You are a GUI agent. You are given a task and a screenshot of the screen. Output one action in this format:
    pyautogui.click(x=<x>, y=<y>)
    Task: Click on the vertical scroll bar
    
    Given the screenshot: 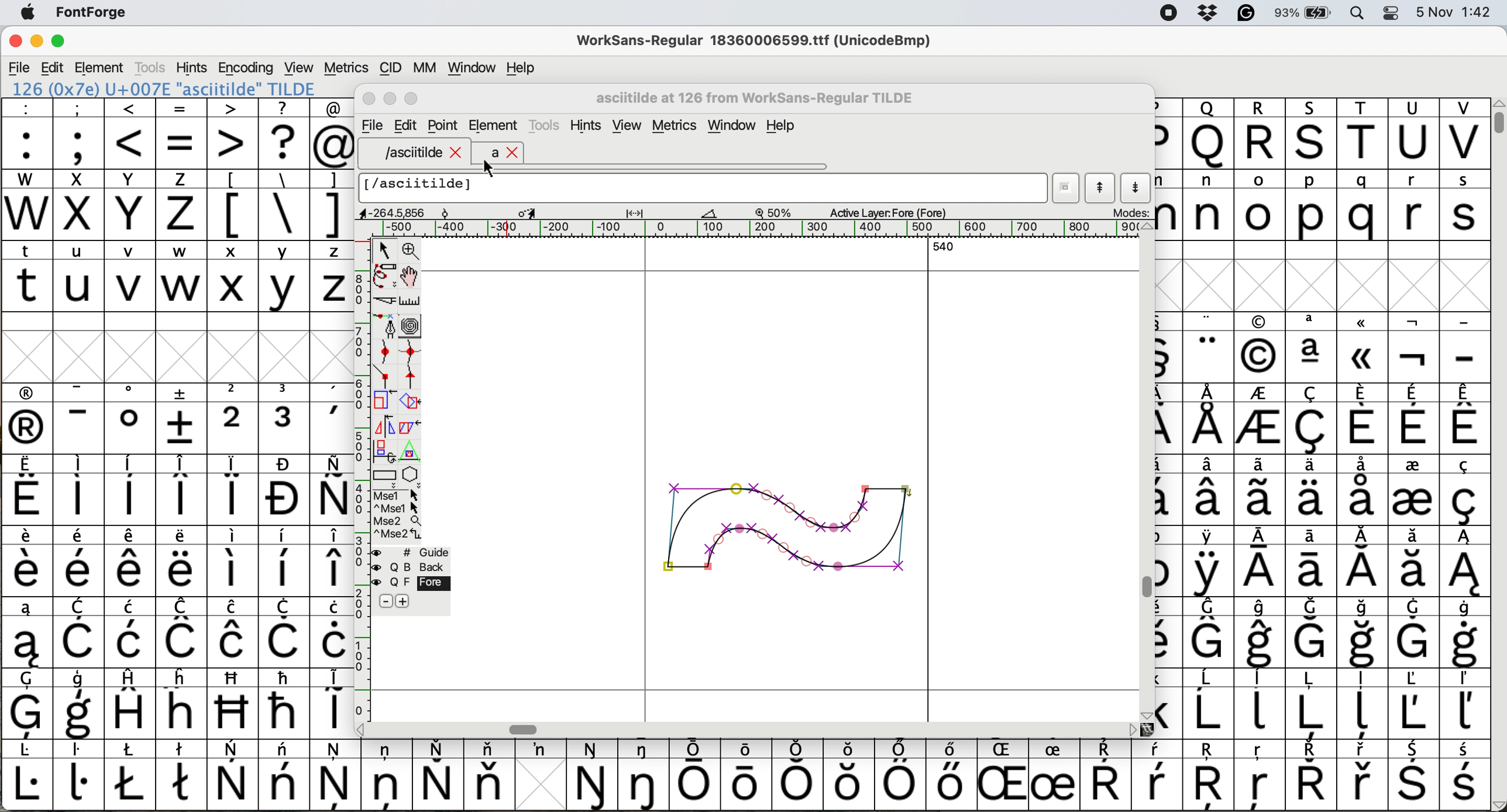 What is the action you would take?
    pyautogui.click(x=1496, y=117)
    